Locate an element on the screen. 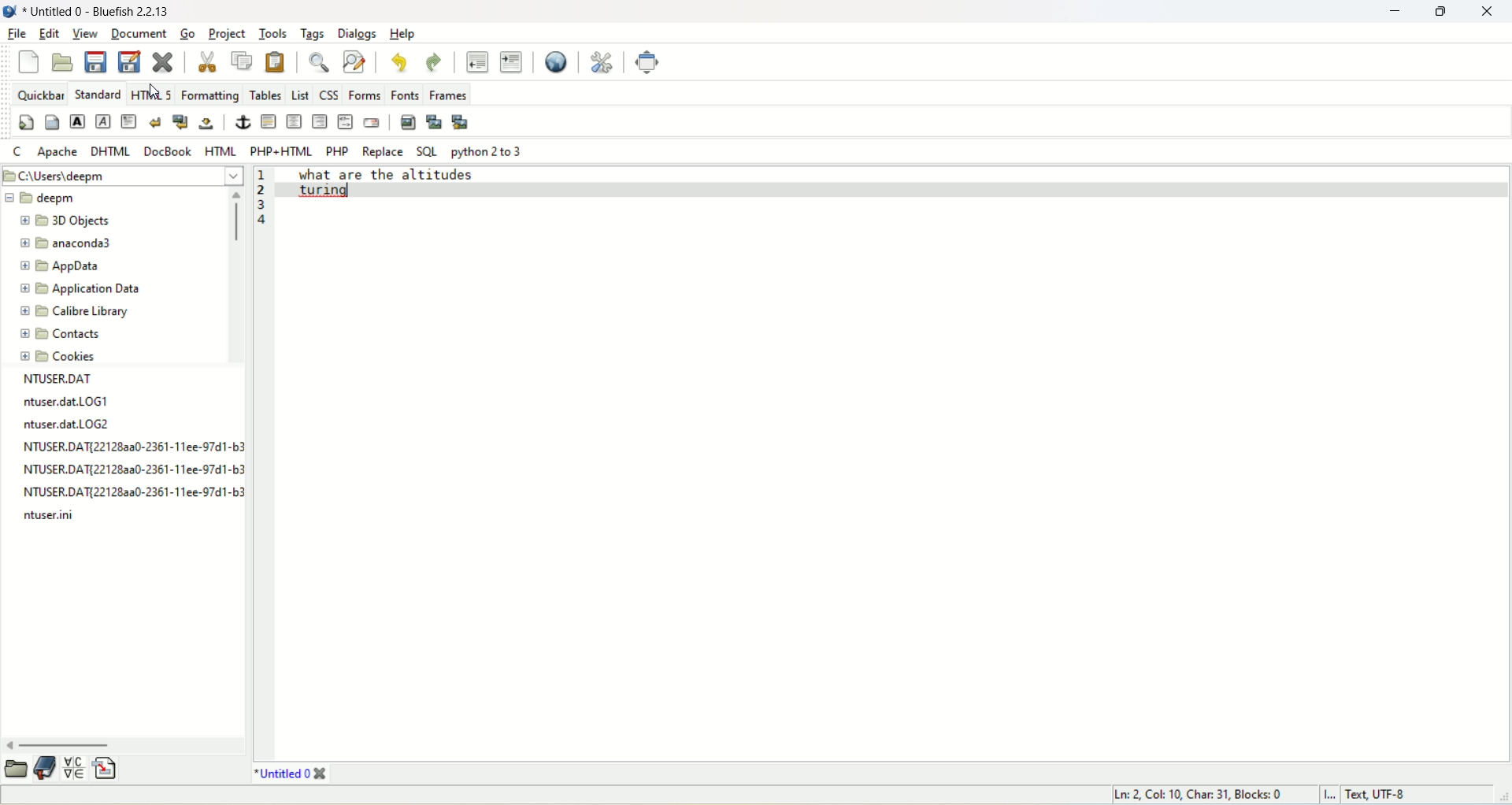  break is located at coordinates (157, 123).